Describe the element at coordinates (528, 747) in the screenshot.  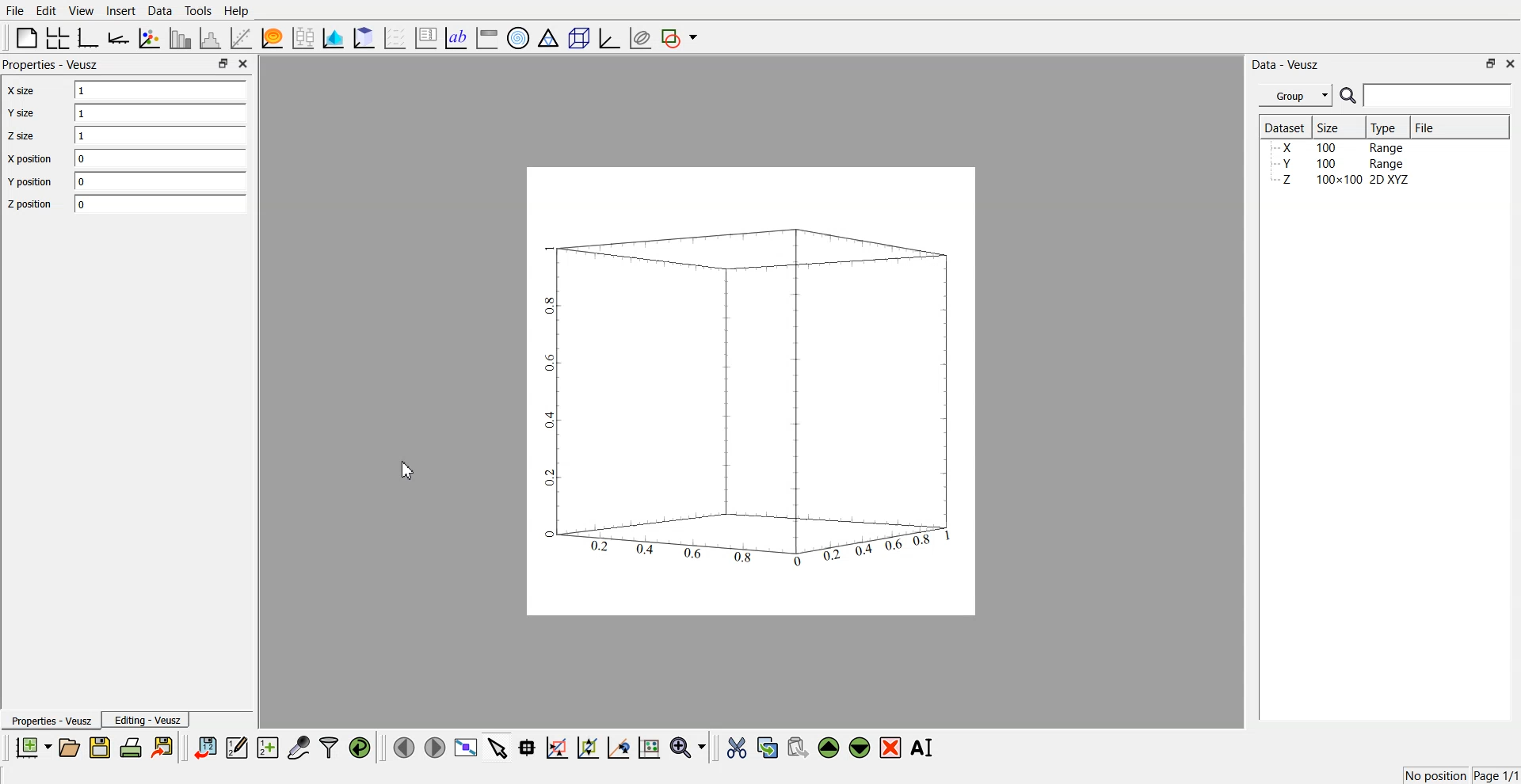
I see `Read data points from graph` at that location.